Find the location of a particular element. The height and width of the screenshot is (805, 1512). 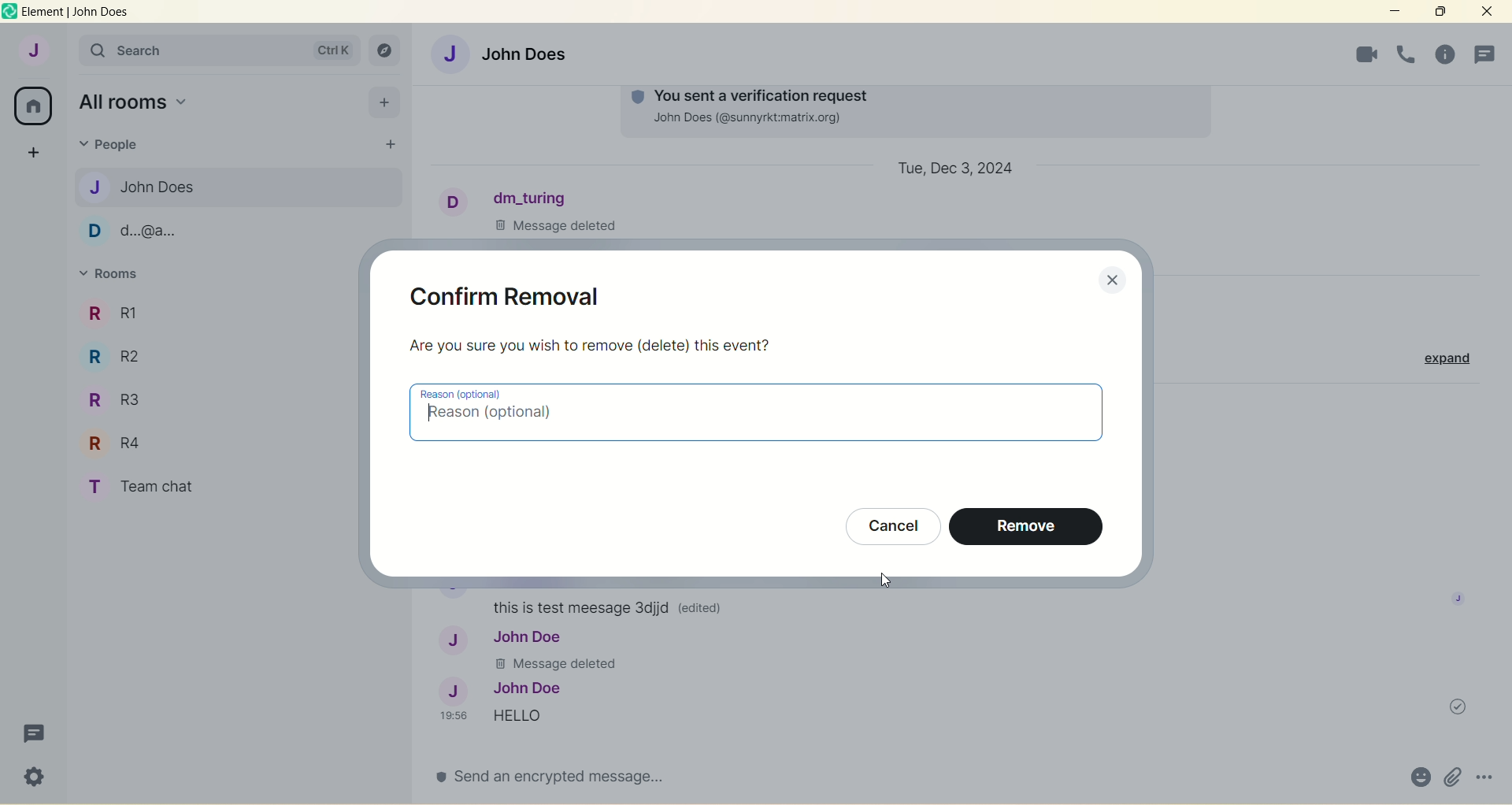

T Team chat is located at coordinates (155, 484).